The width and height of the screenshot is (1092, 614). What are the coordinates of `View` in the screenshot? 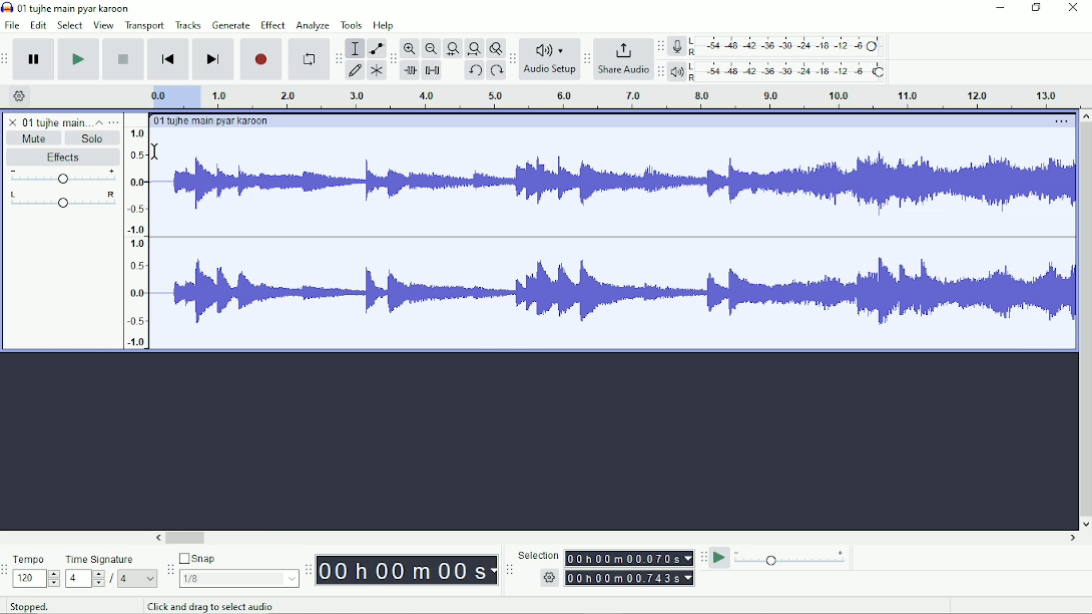 It's located at (103, 25).